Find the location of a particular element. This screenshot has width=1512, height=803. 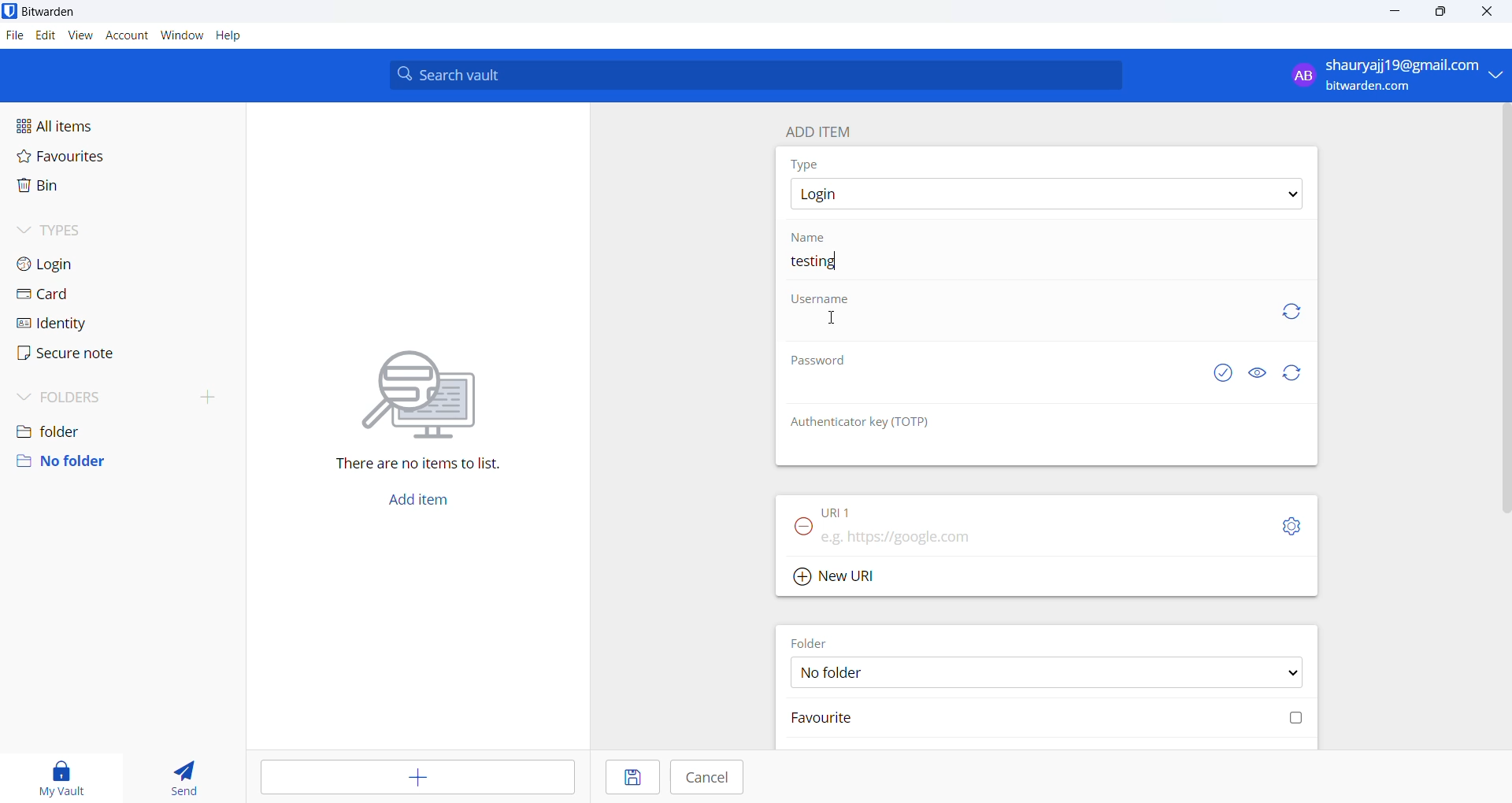

edit is located at coordinates (43, 35).